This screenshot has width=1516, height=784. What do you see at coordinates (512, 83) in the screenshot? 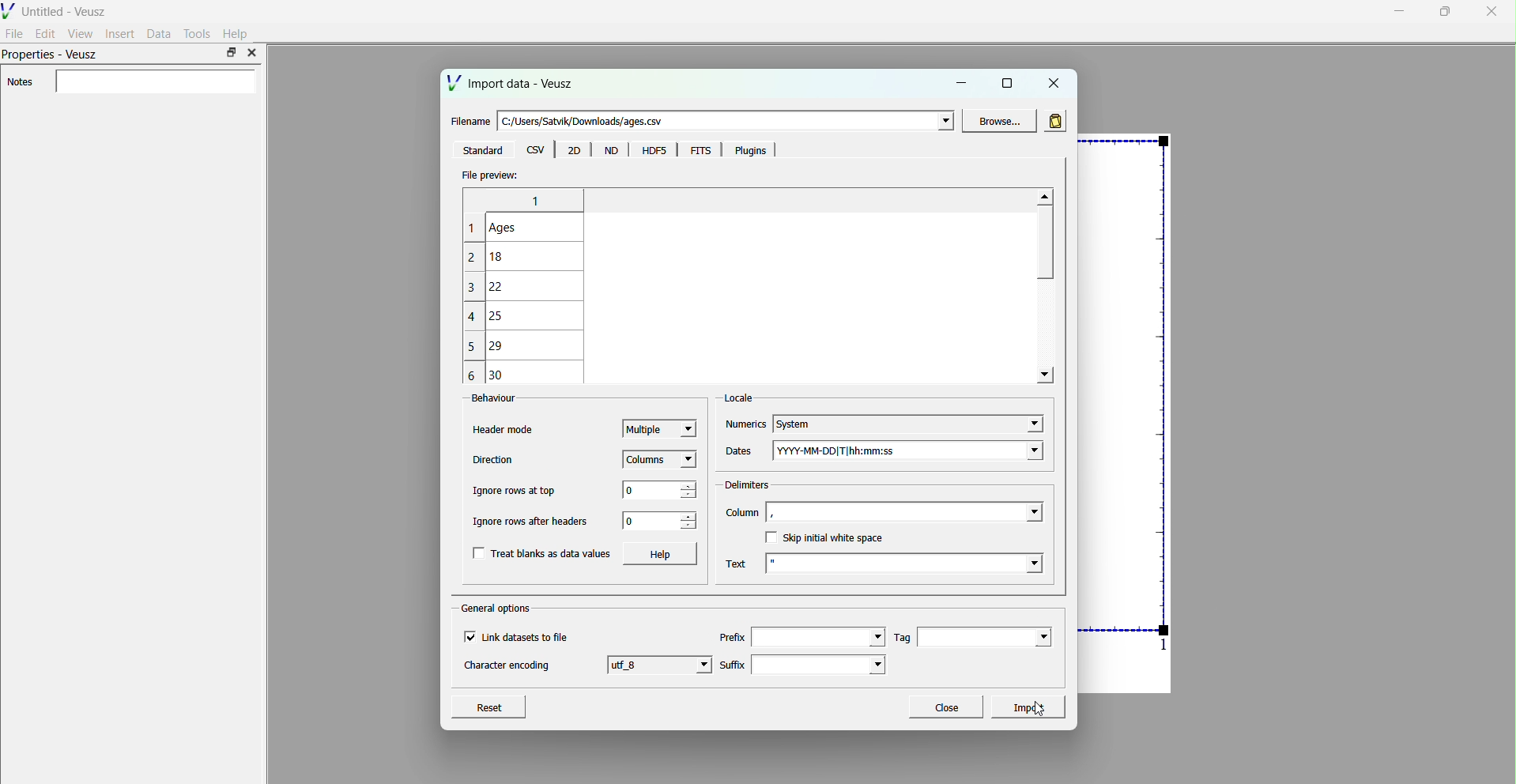
I see `Import data - Veusz` at bounding box center [512, 83].